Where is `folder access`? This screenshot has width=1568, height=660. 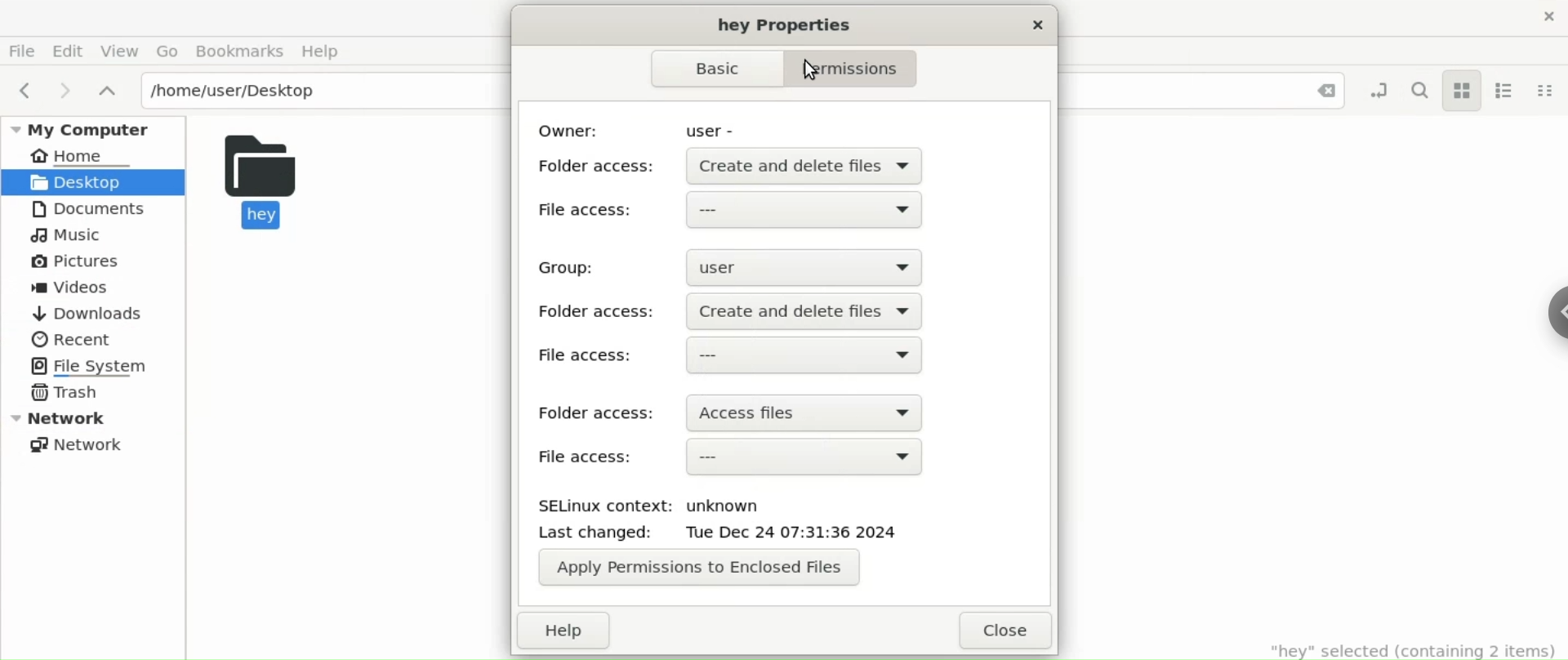 folder access is located at coordinates (603, 164).